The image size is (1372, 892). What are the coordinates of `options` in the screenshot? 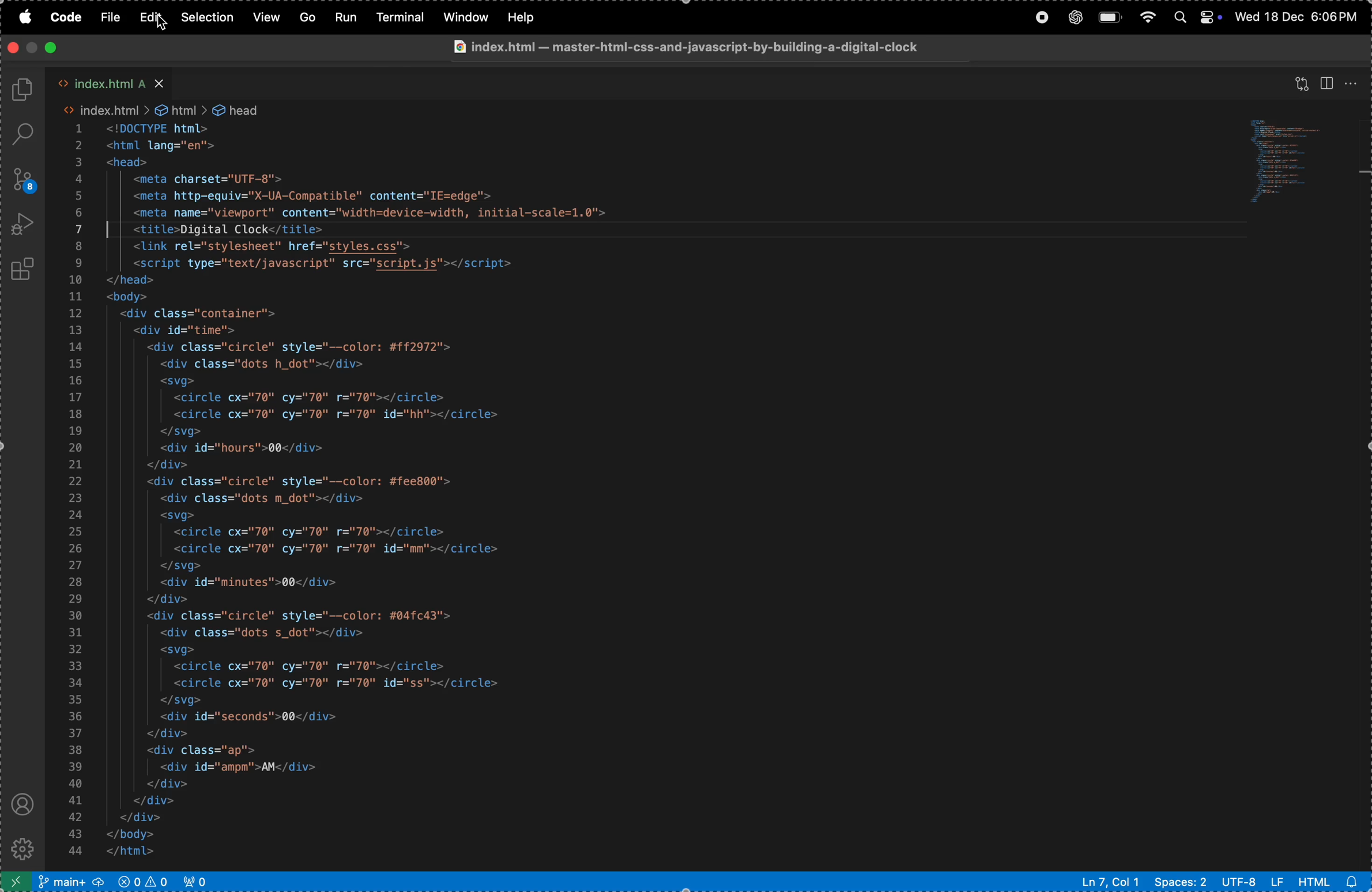 It's located at (1352, 84).